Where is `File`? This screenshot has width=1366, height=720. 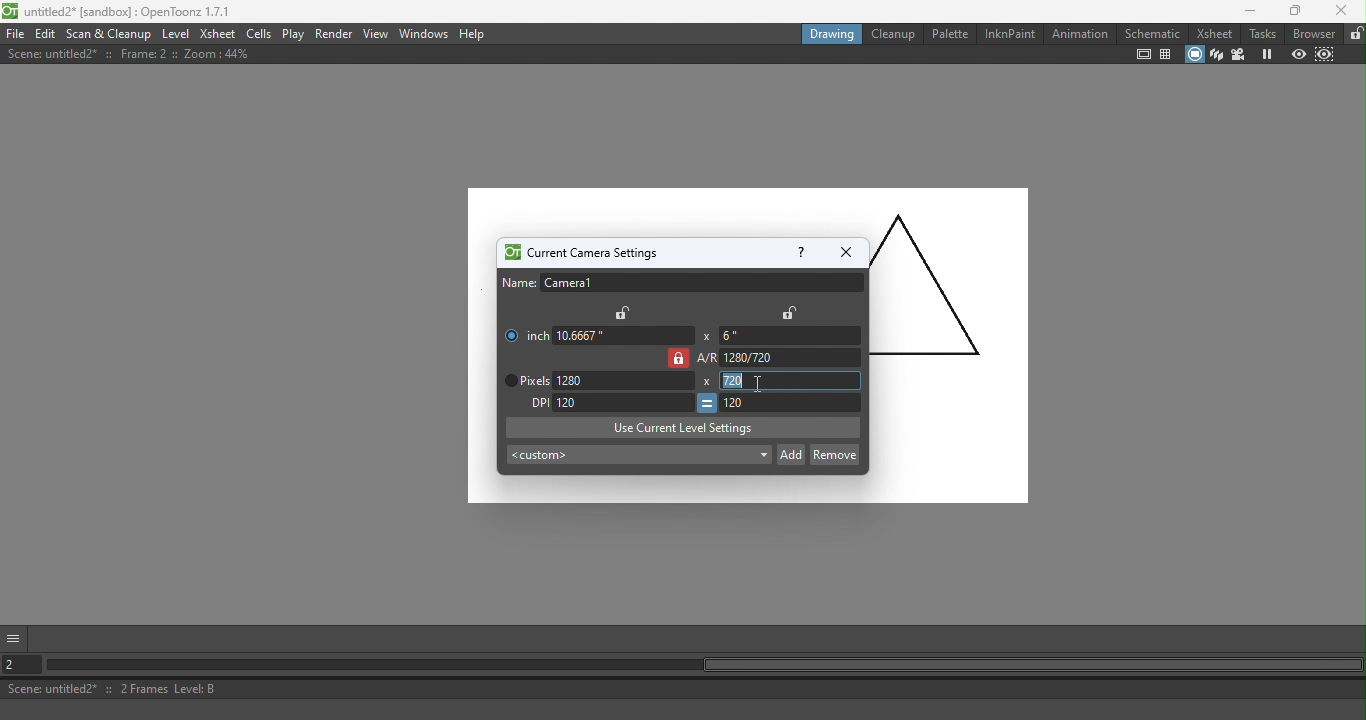 File is located at coordinates (15, 33).